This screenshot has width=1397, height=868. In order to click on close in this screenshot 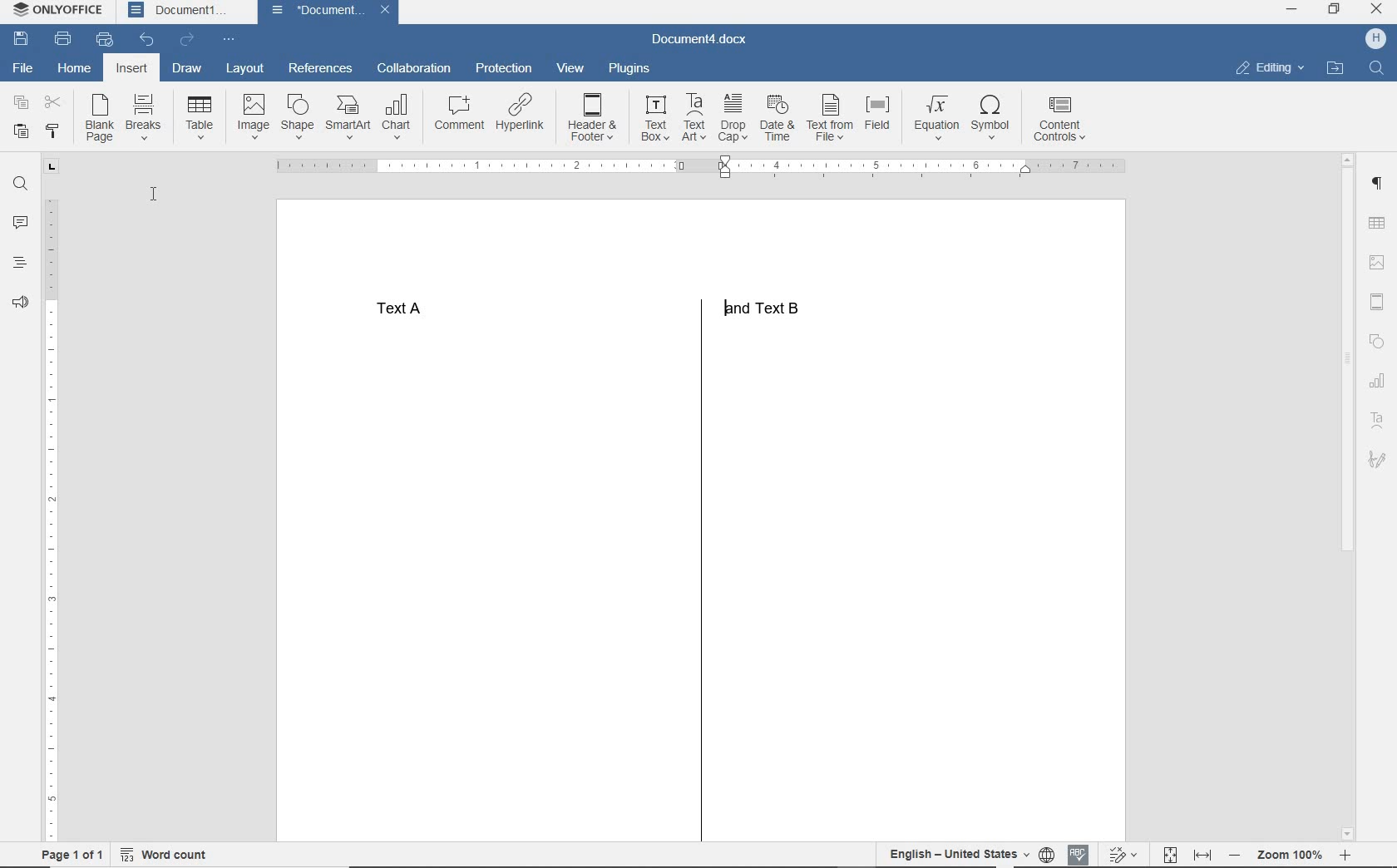, I will do `click(1377, 9)`.